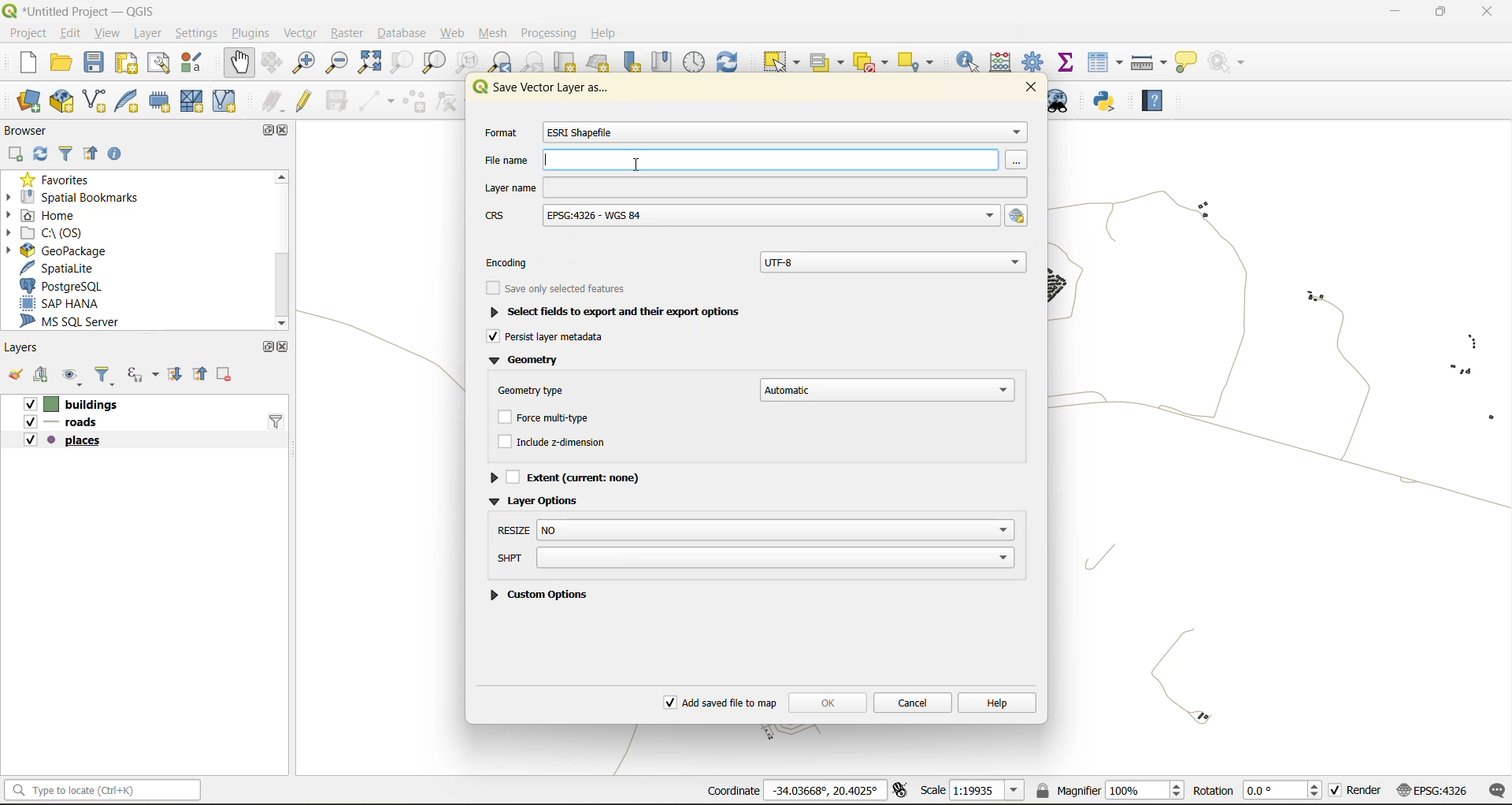  Describe the element at coordinates (161, 64) in the screenshot. I see `show layout` at that location.